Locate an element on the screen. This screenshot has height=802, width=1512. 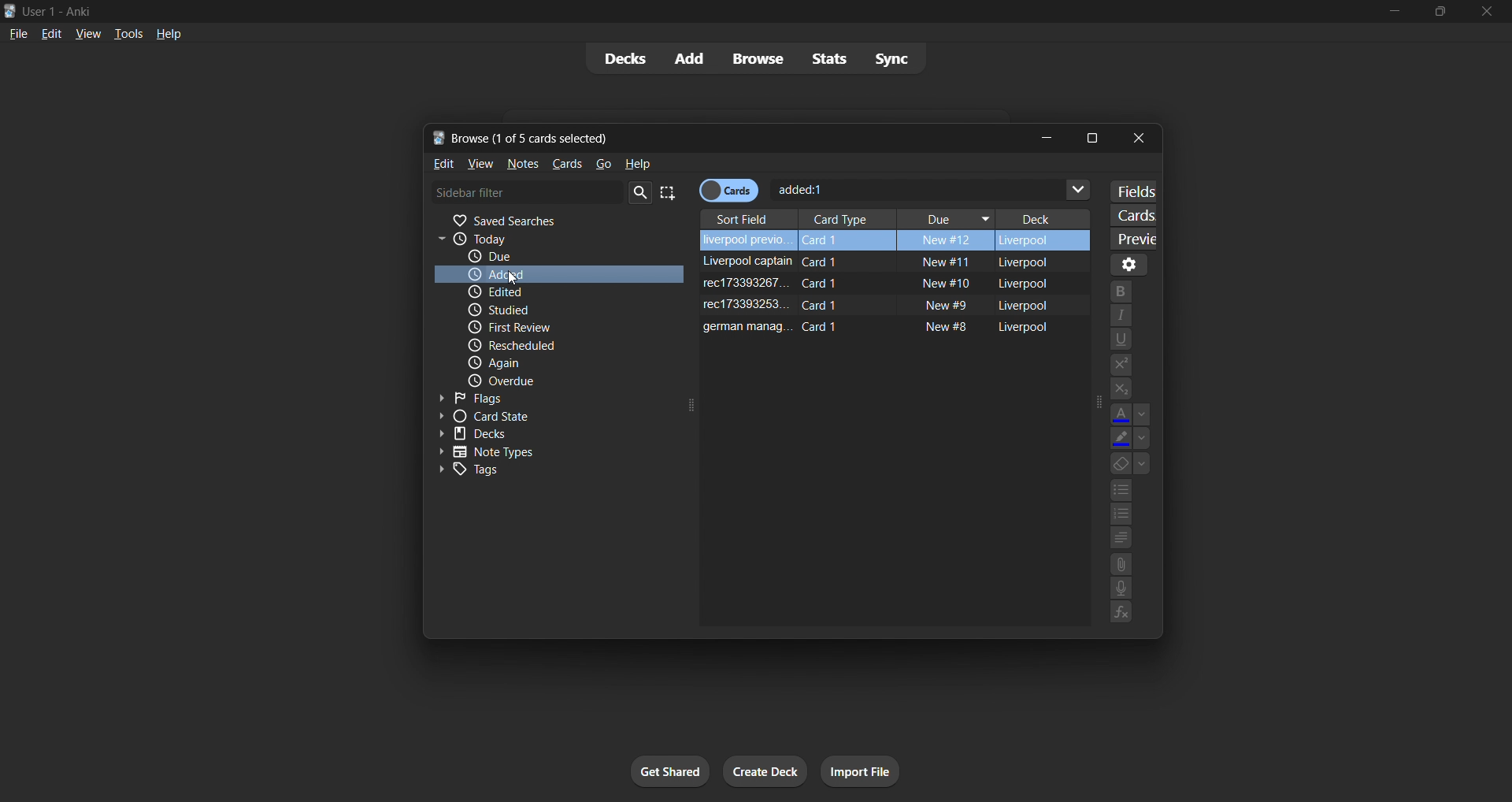
again is located at coordinates (561, 363).